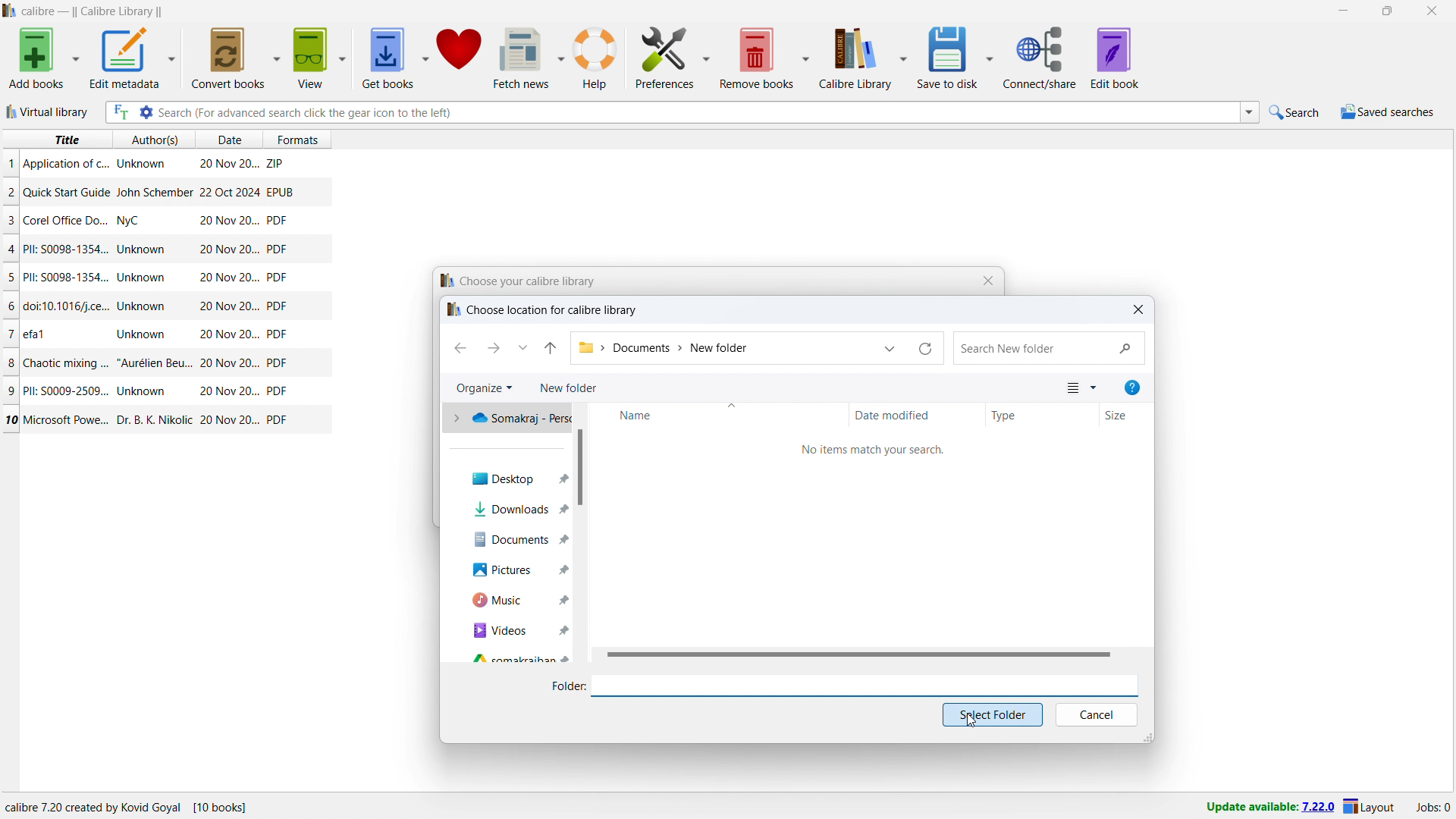 This screenshot has width=1456, height=819. What do you see at coordinates (66, 362) in the screenshot?
I see `Title` at bounding box center [66, 362].